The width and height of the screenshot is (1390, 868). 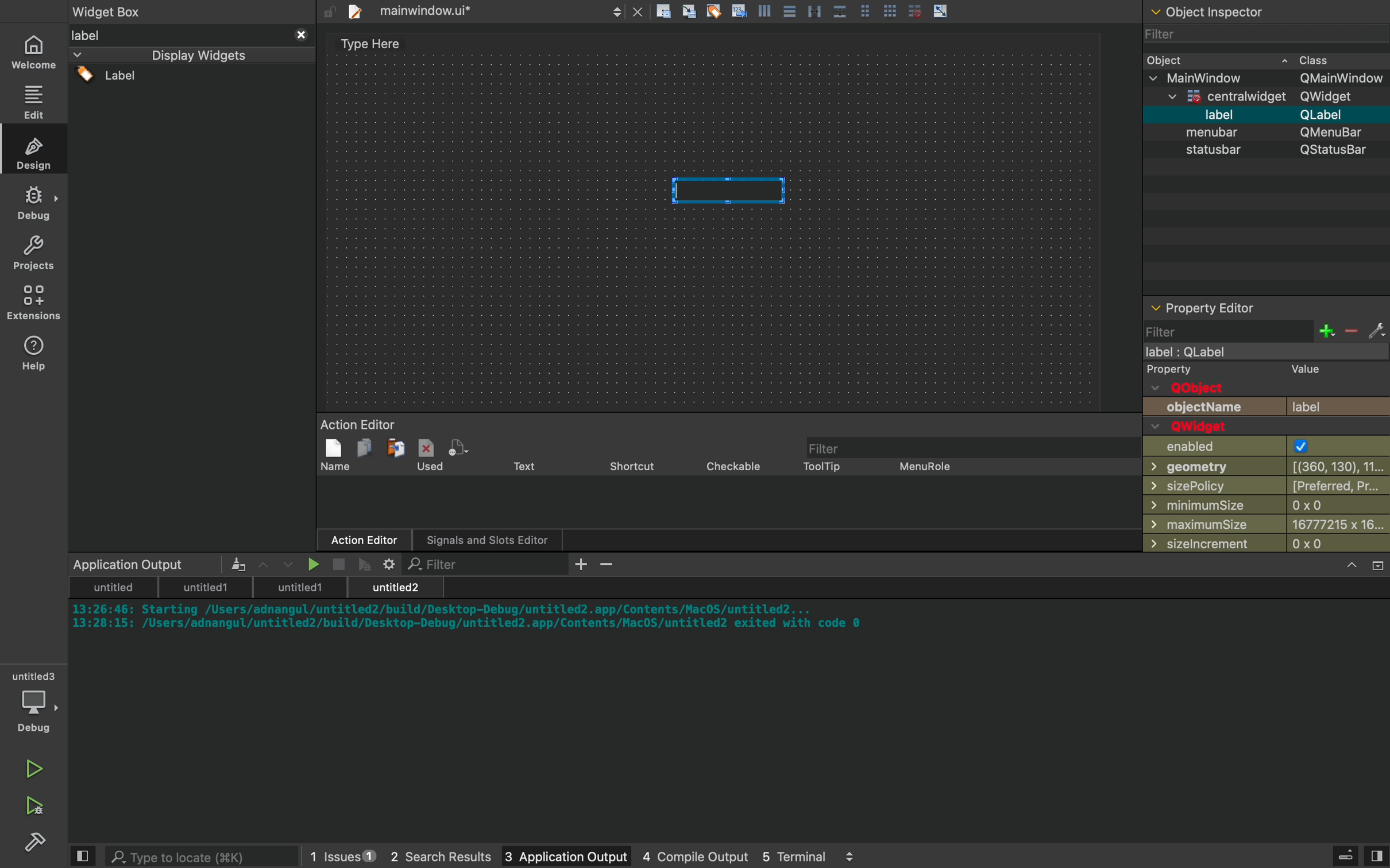 I want to click on action editor , so click(x=724, y=486).